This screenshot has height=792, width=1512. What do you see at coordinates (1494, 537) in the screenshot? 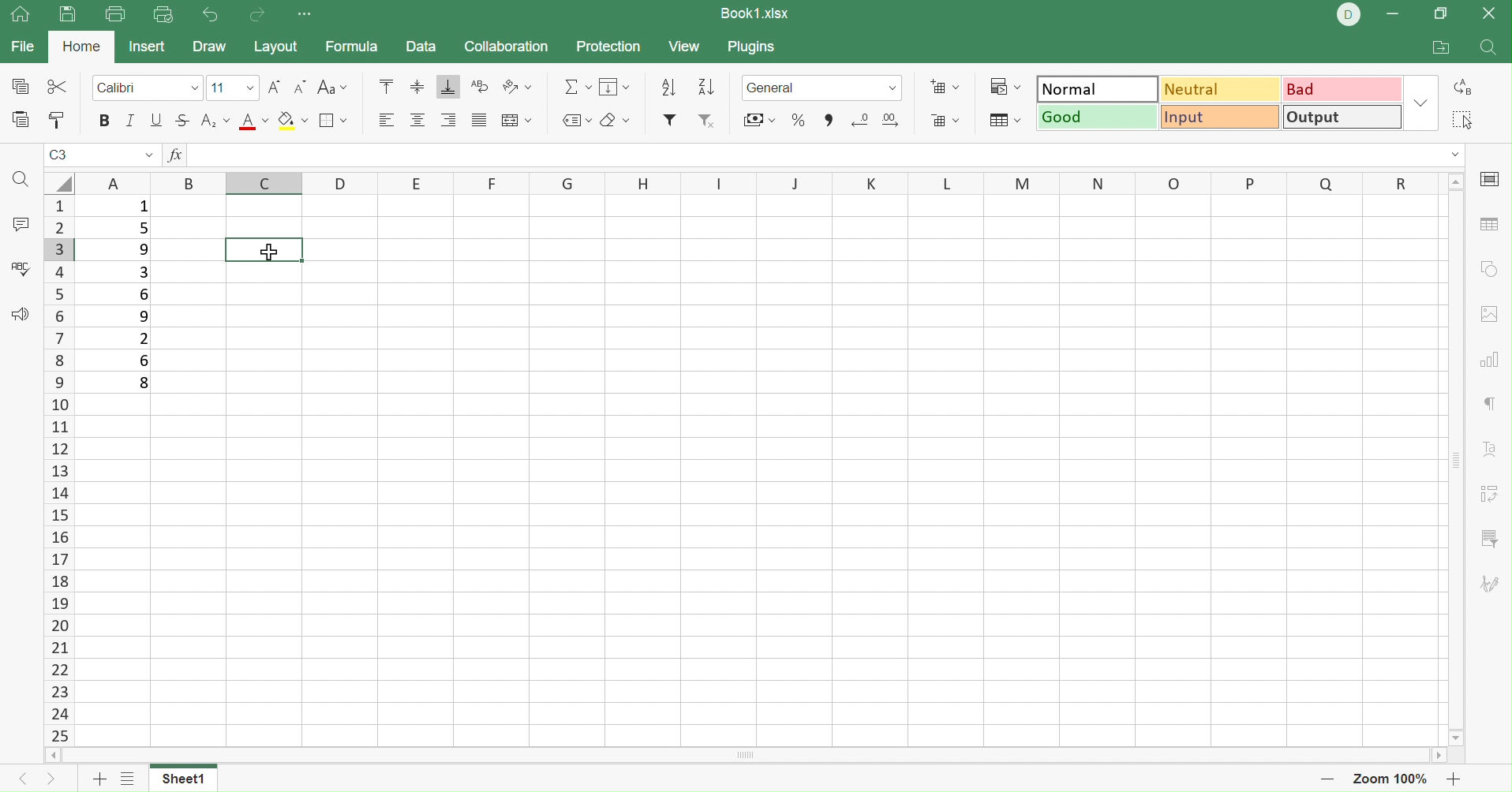
I see `Slicer settings` at bounding box center [1494, 537].